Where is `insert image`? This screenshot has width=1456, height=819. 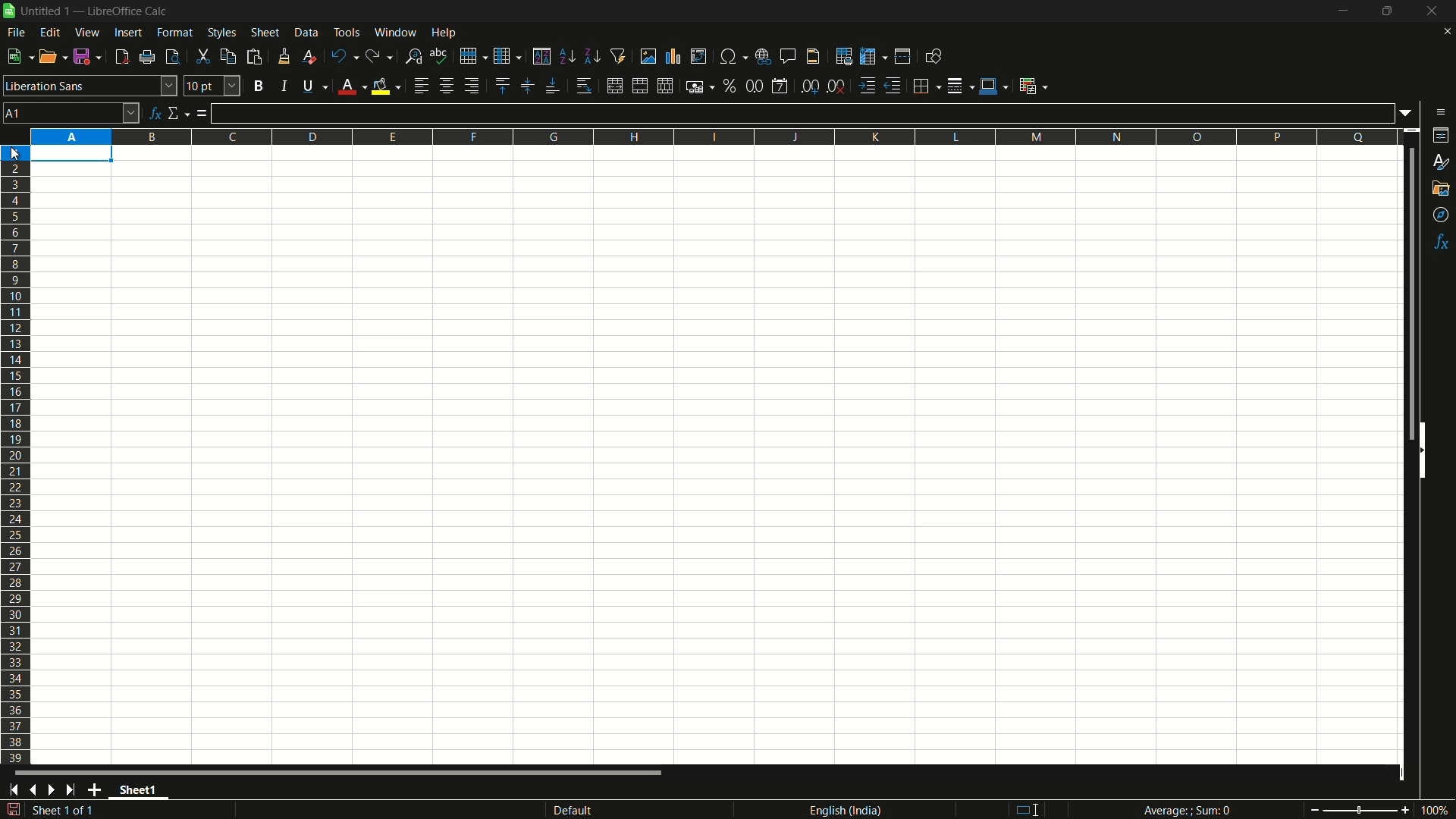
insert image is located at coordinates (648, 55).